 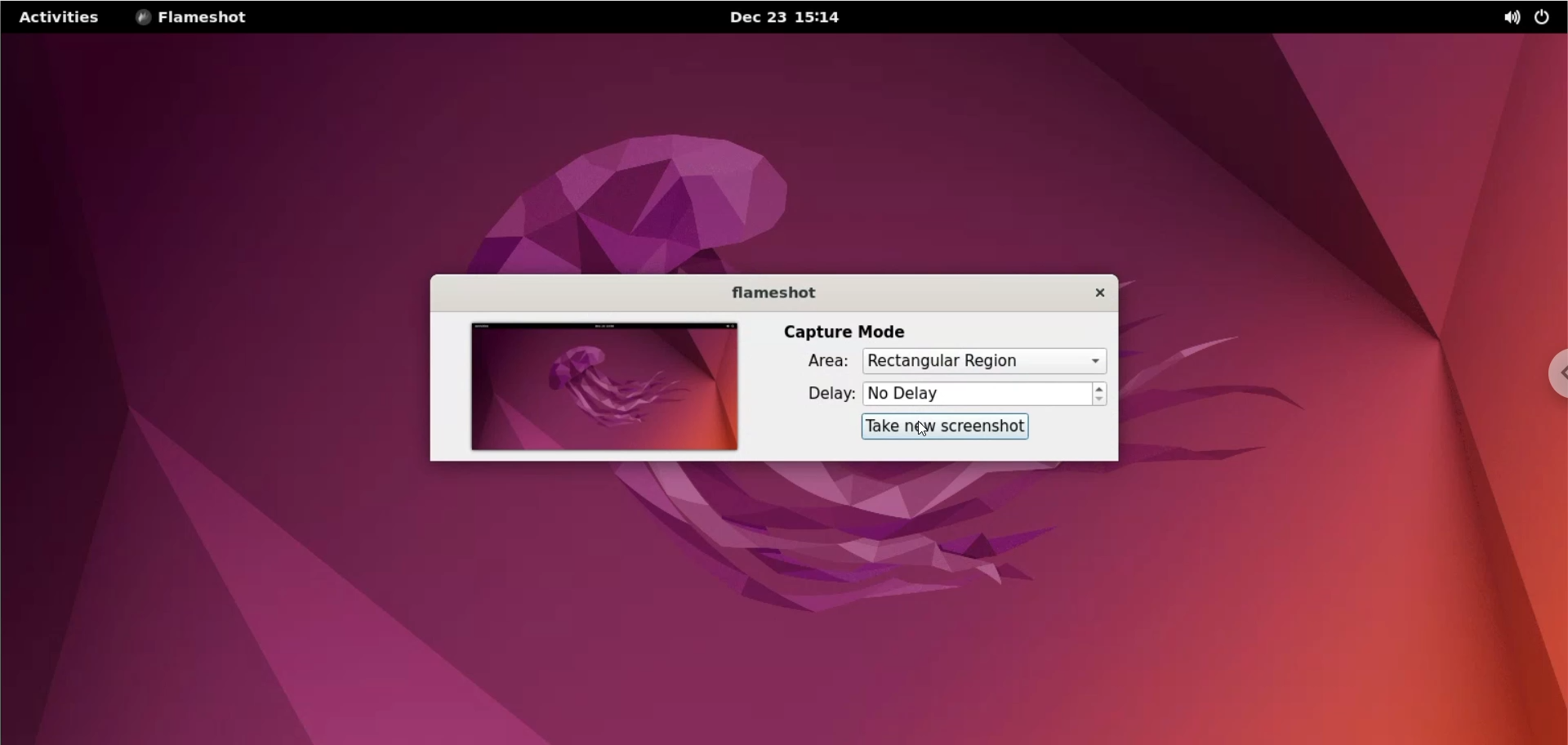 I want to click on chrome options, so click(x=1545, y=372).